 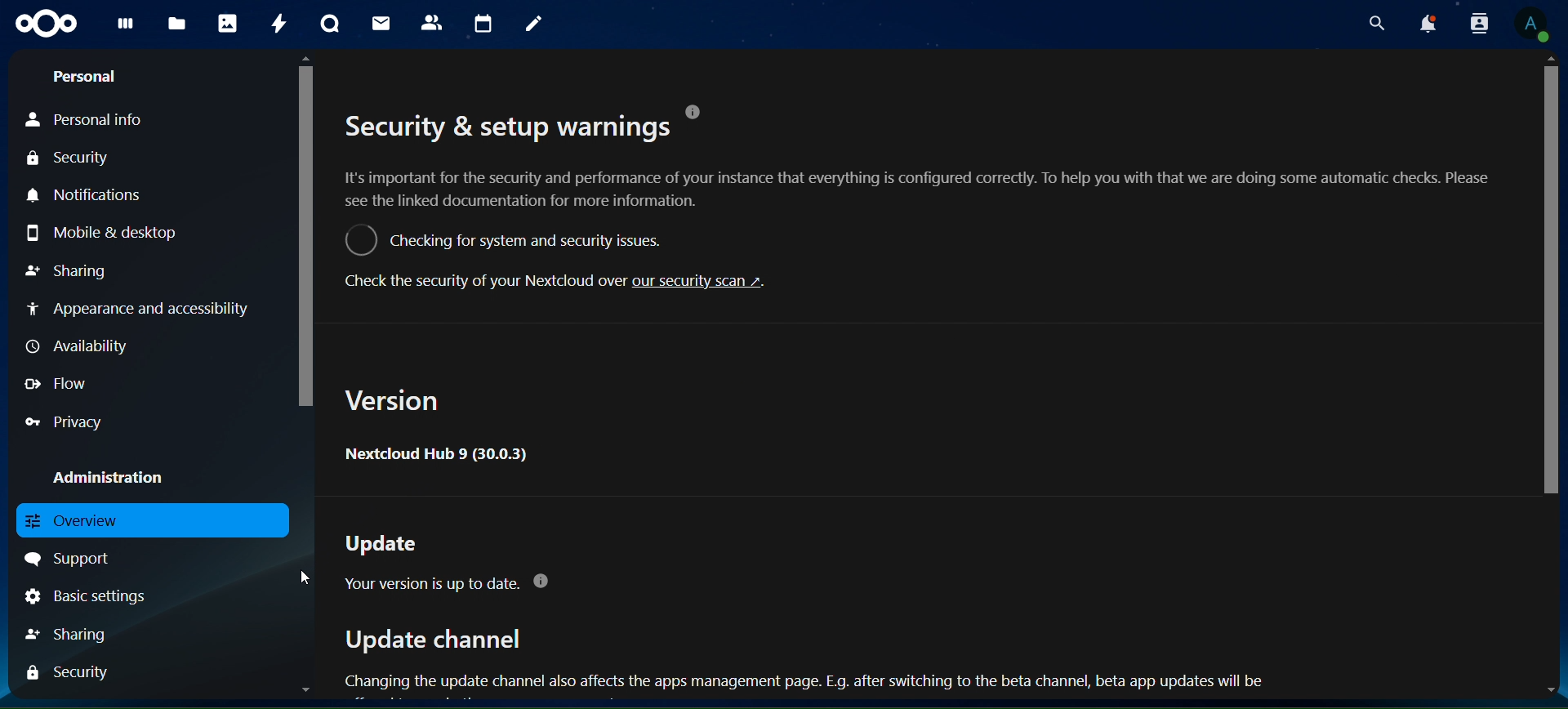 What do you see at coordinates (129, 29) in the screenshot?
I see `dashboard` at bounding box center [129, 29].